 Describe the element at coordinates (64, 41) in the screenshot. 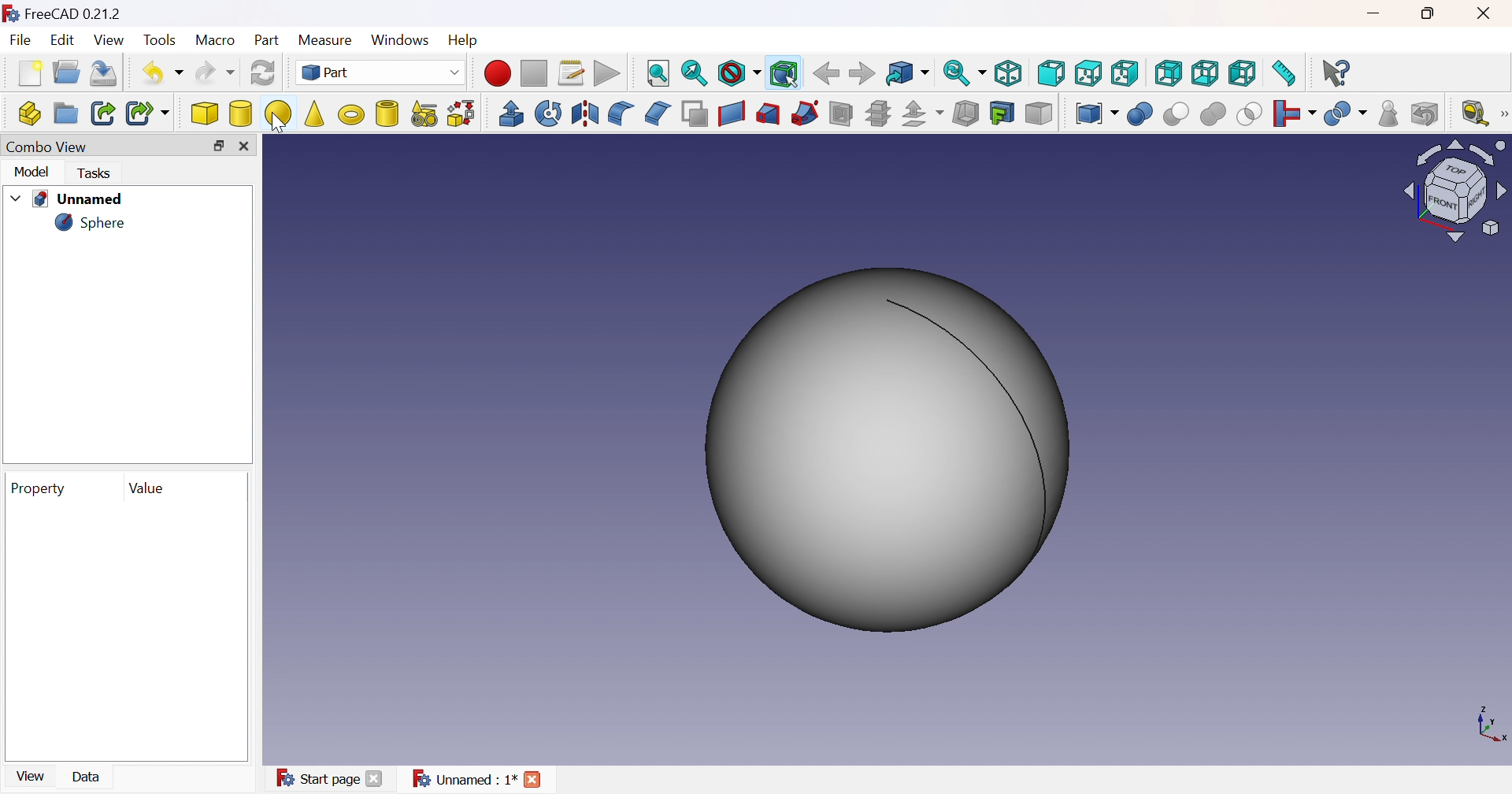

I see `Edit` at that location.